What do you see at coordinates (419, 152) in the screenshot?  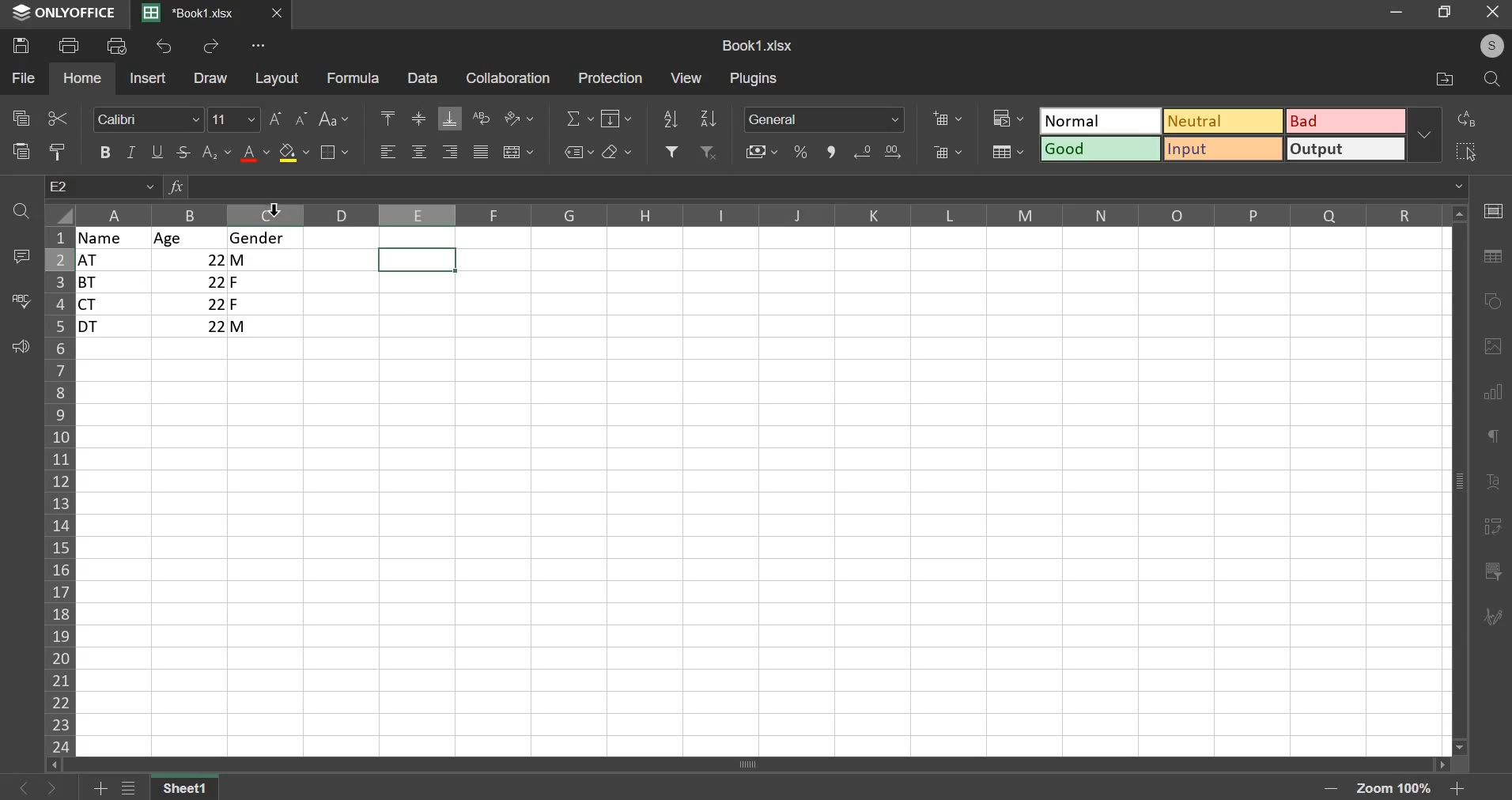 I see `align center` at bounding box center [419, 152].